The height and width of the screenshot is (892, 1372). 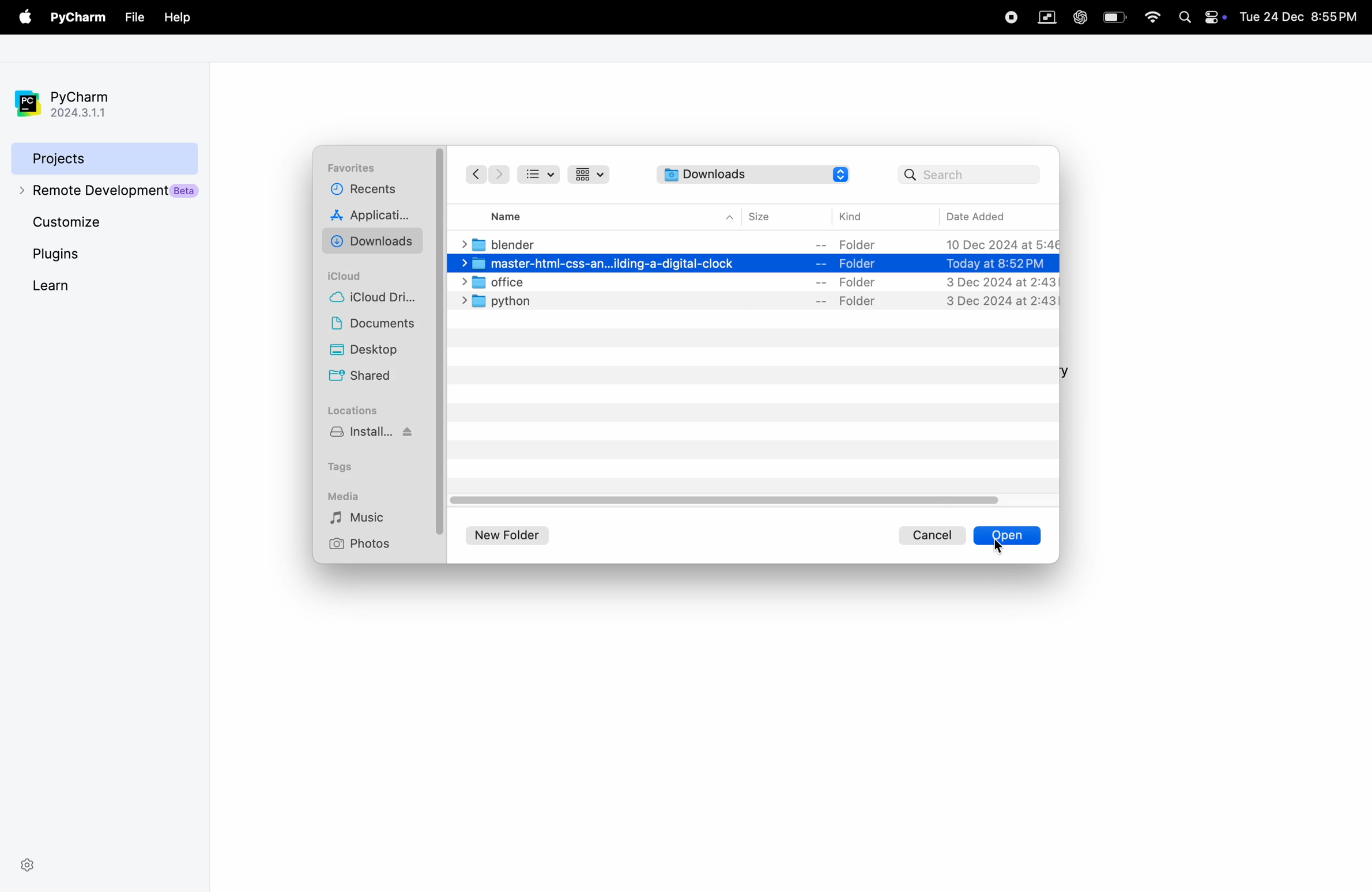 What do you see at coordinates (988, 216) in the screenshot?
I see `date added` at bounding box center [988, 216].